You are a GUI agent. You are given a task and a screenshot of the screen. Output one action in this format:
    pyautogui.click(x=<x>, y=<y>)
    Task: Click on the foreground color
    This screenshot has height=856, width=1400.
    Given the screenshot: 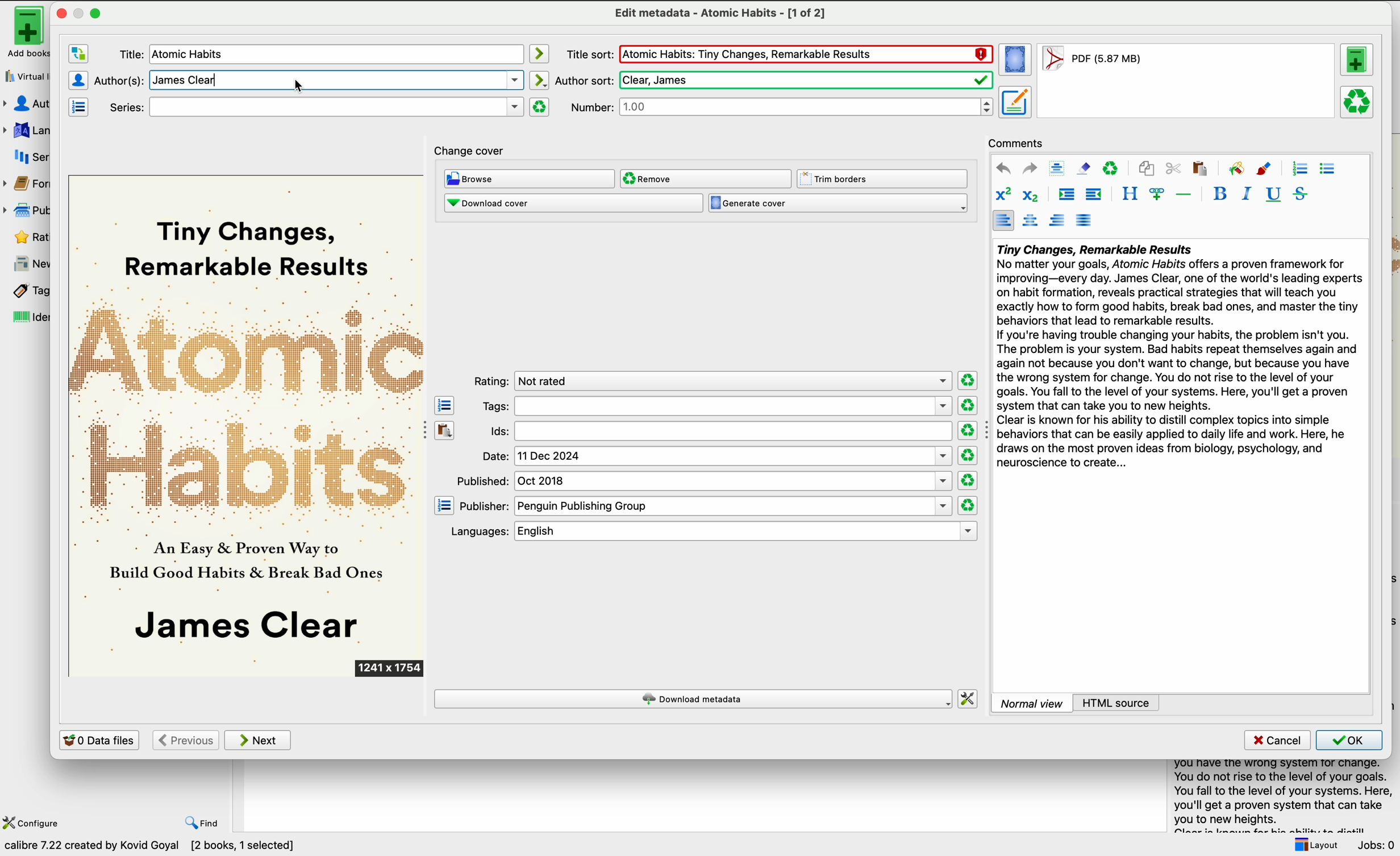 What is the action you would take?
    pyautogui.click(x=1265, y=168)
    